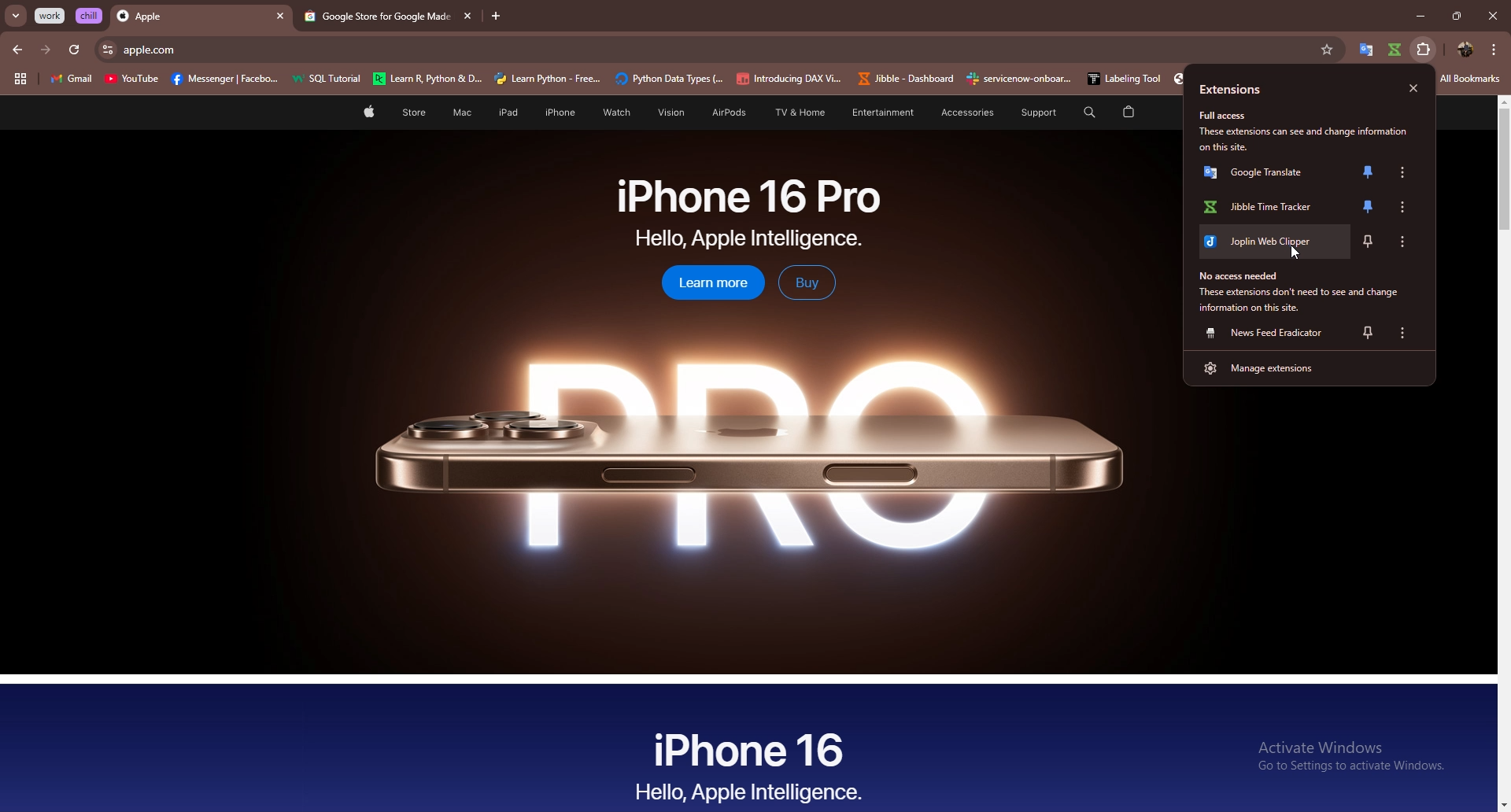 The width and height of the screenshot is (1511, 812). I want to click on iPhone, so click(560, 113).